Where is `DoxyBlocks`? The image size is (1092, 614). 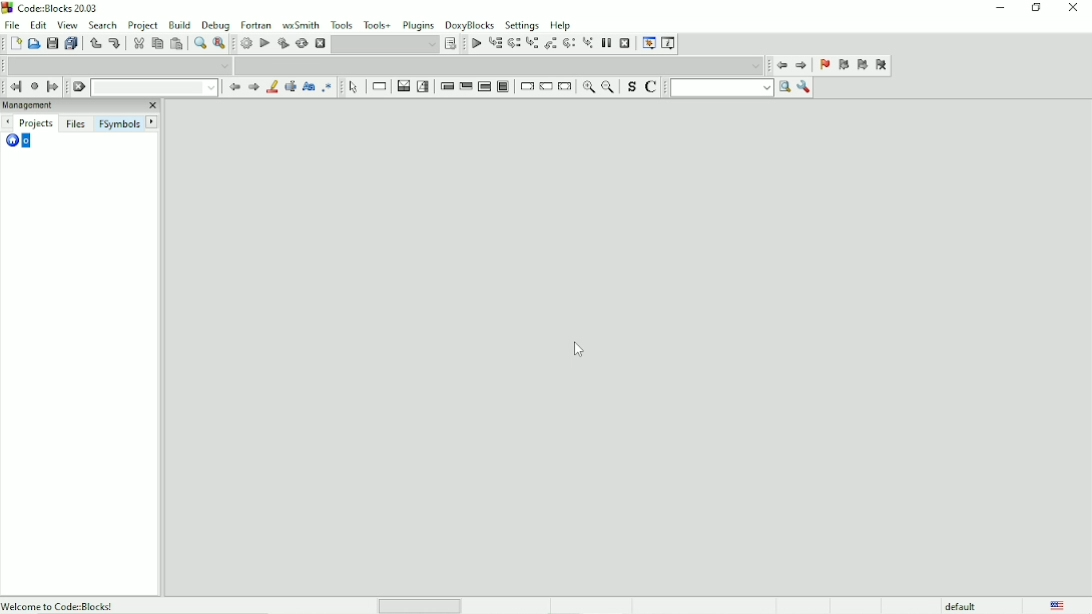
DoxyBlocks is located at coordinates (470, 23).